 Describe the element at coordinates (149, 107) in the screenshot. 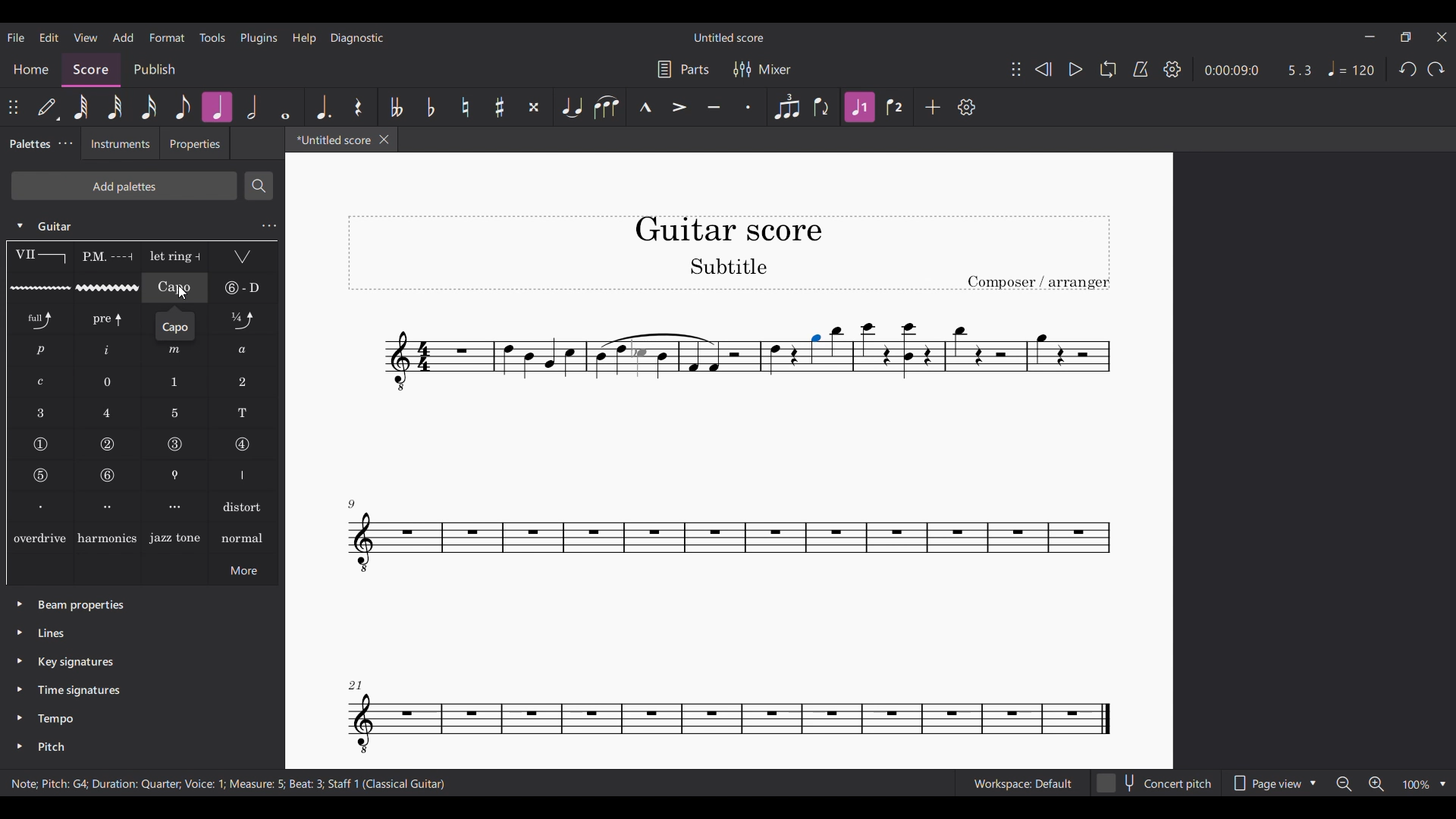

I see `16th note` at that location.